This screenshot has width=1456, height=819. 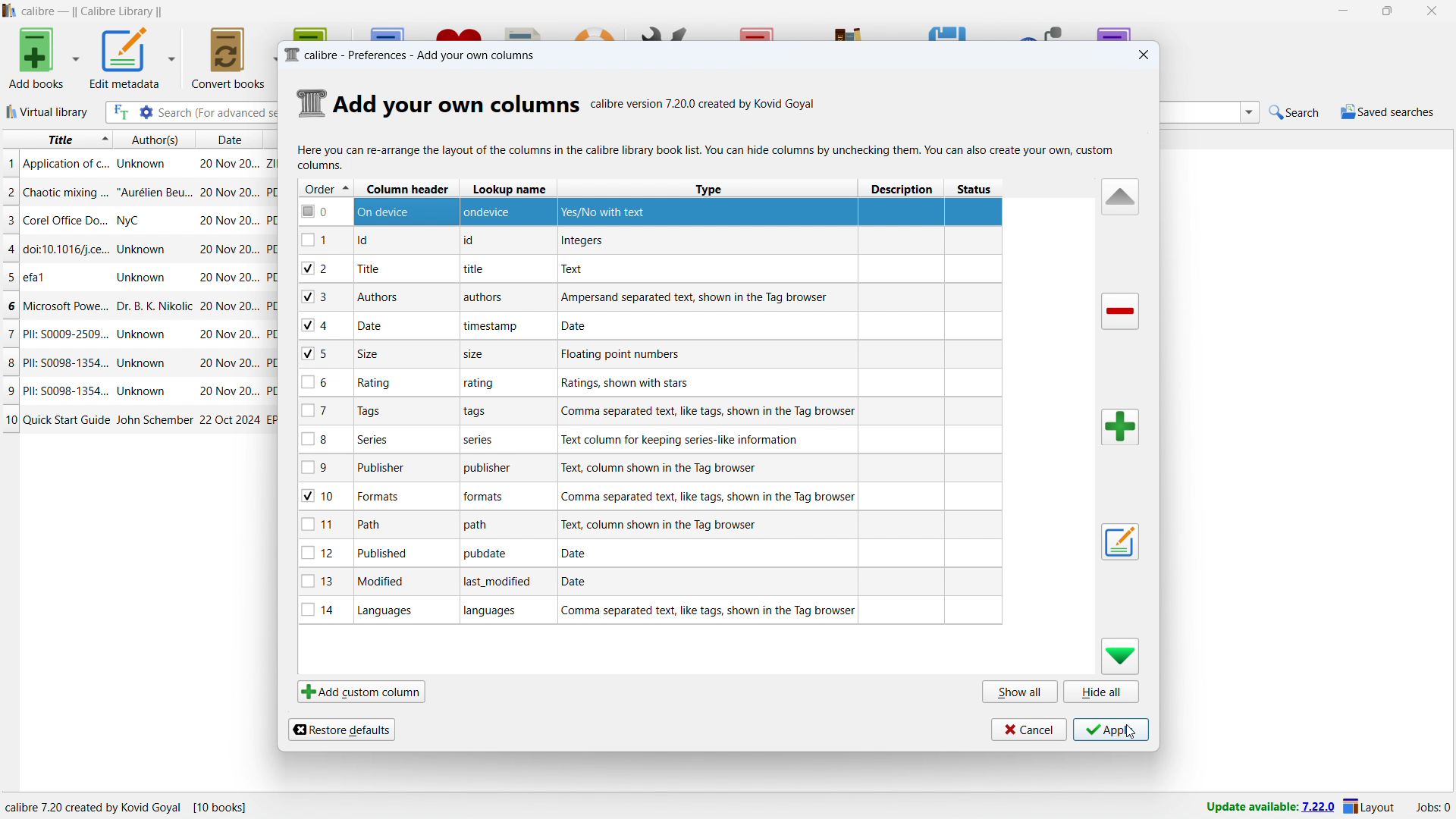 I want to click on title, so click(x=66, y=165).